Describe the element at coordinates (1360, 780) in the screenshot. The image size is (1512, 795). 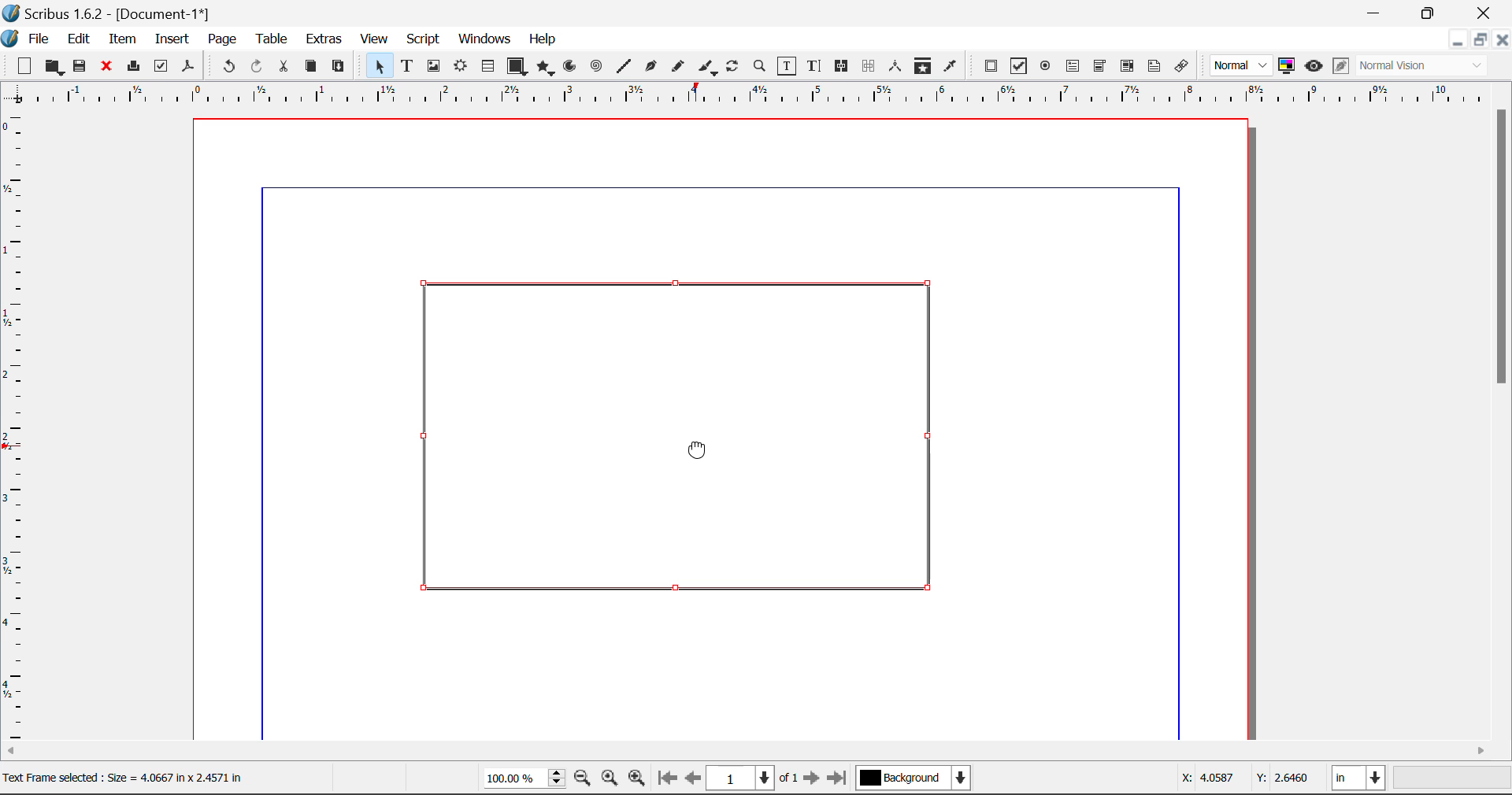
I see `Measurement Units` at that location.